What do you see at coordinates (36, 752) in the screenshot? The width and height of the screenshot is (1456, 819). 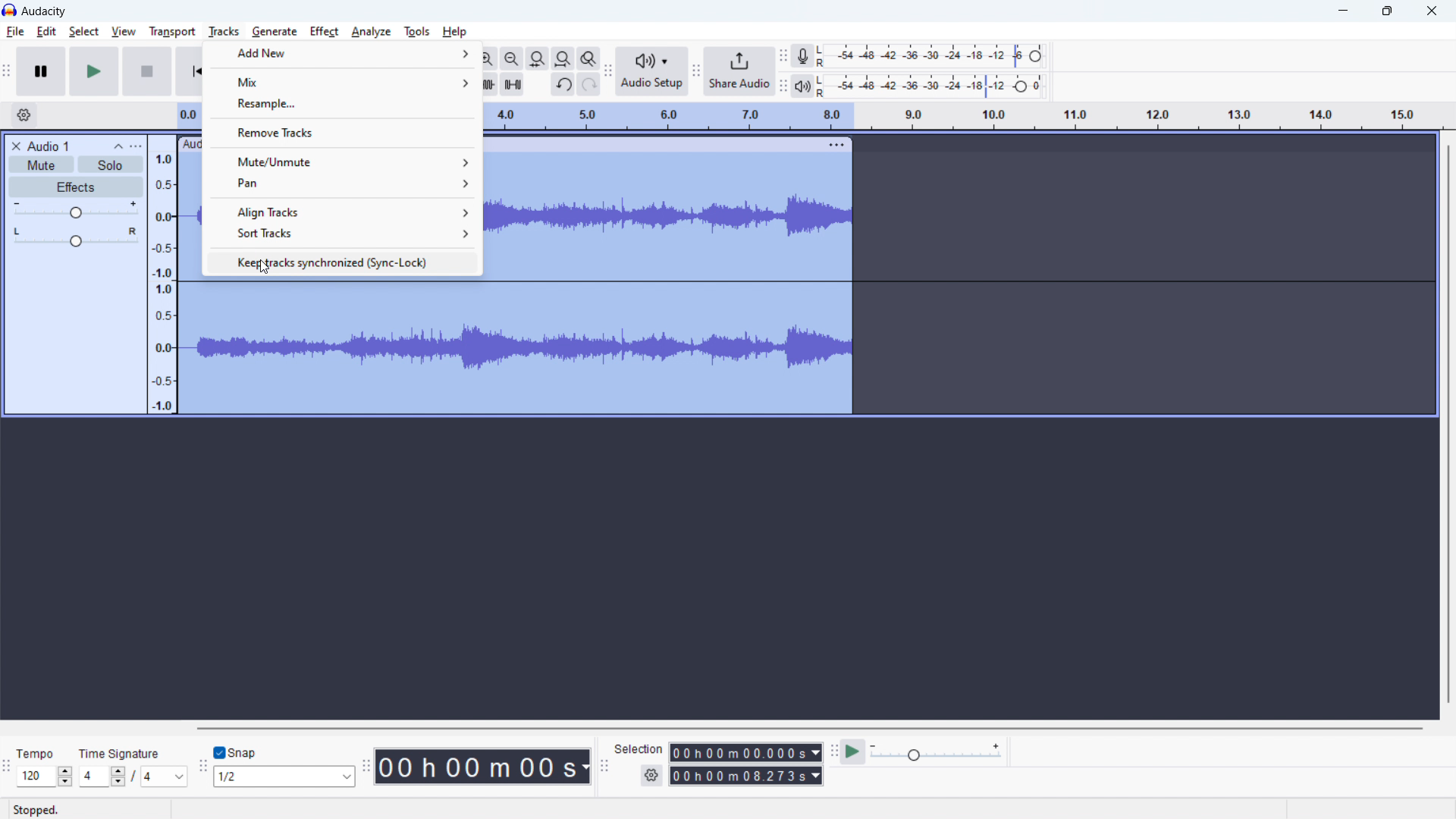 I see `Tempo` at bounding box center [36, 752].